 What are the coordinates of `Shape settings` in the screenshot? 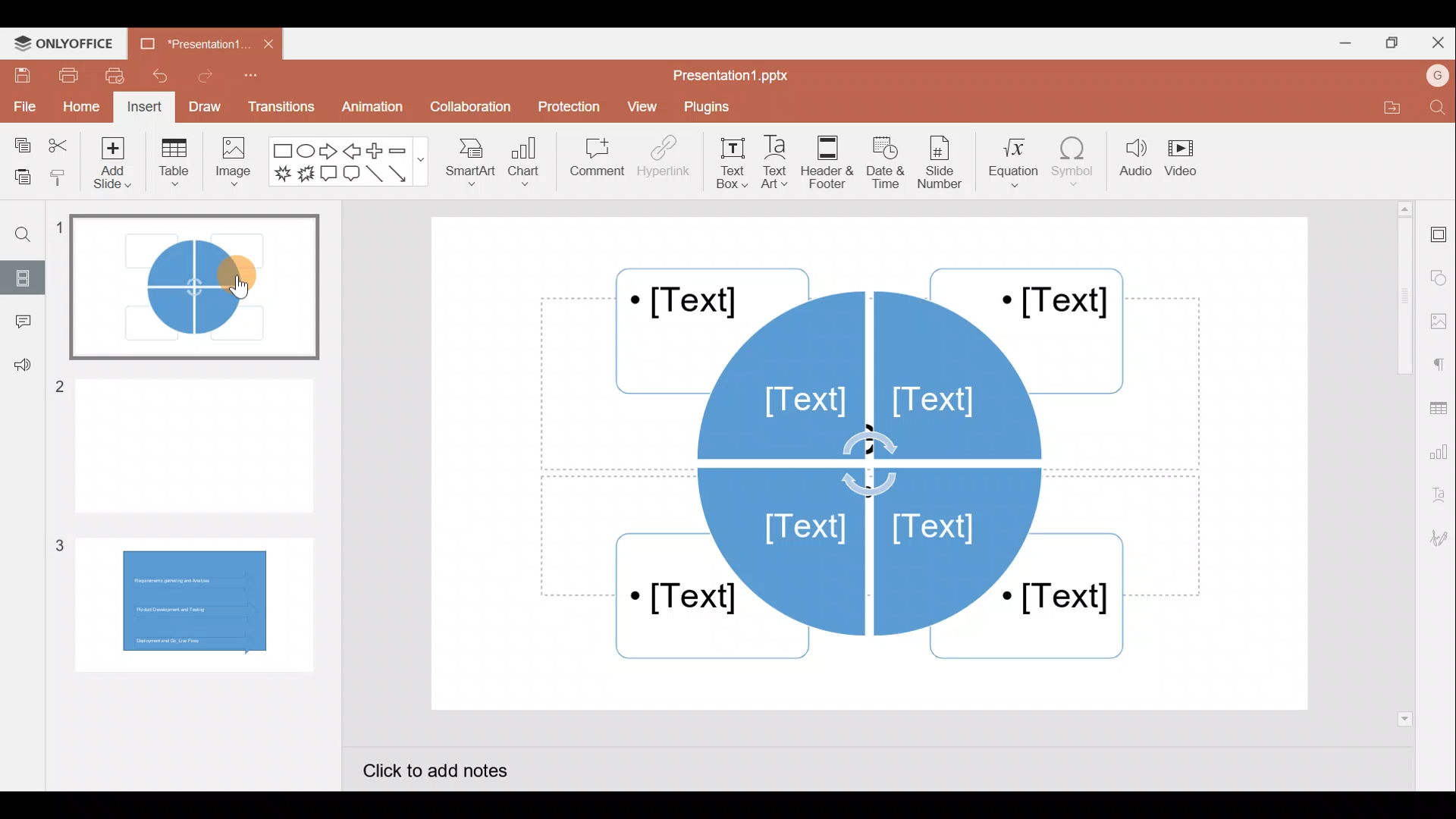 It's located at (1439, 272).